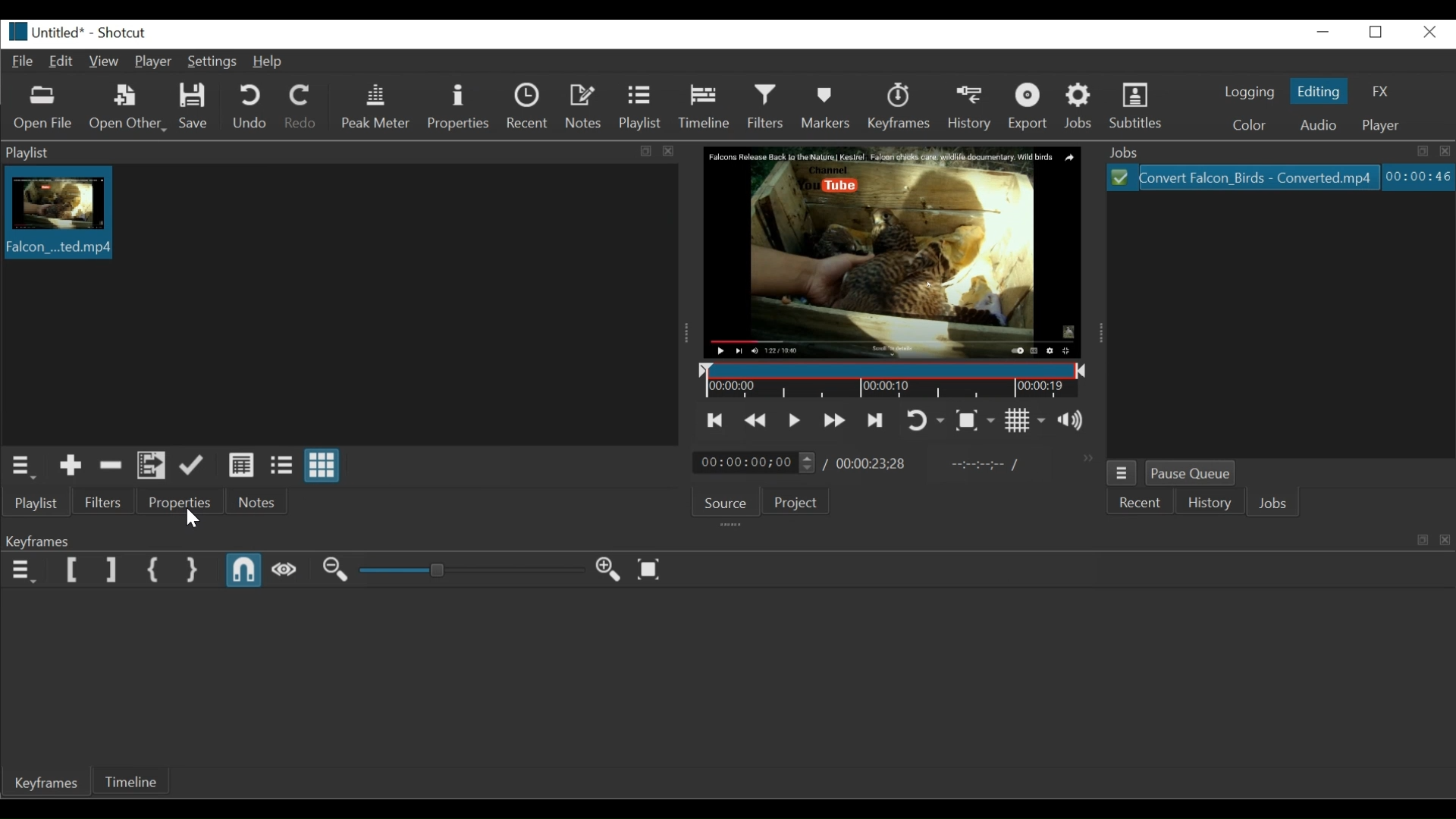 This screenshot has width=1456, height=819. What do you see at coordinates (128, 780) in the screenshot?
I see `Timeline` at bounding box center [128, 780].